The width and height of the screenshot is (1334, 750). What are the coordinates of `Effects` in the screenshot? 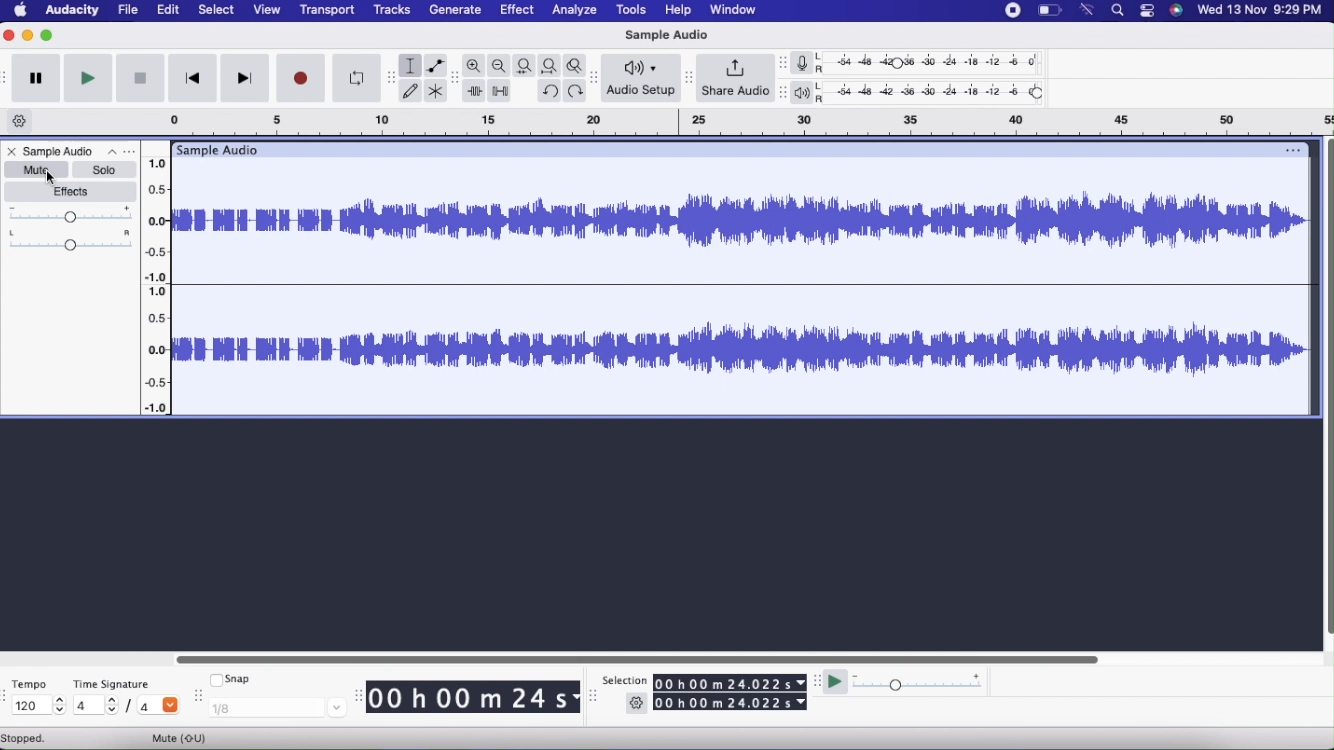 It's located at (72, 192).